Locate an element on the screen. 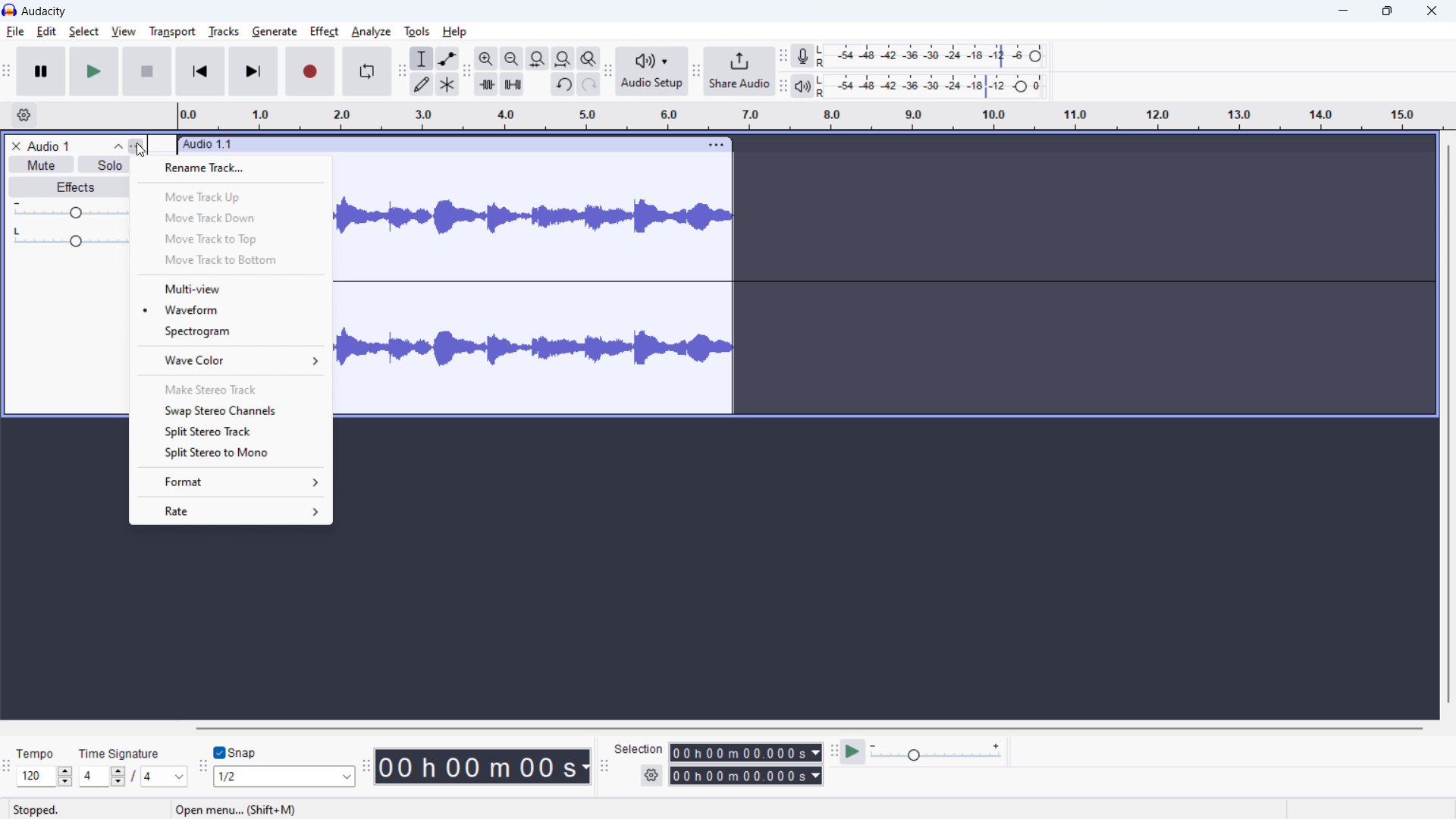  track title is located at coordinates (49, 146).